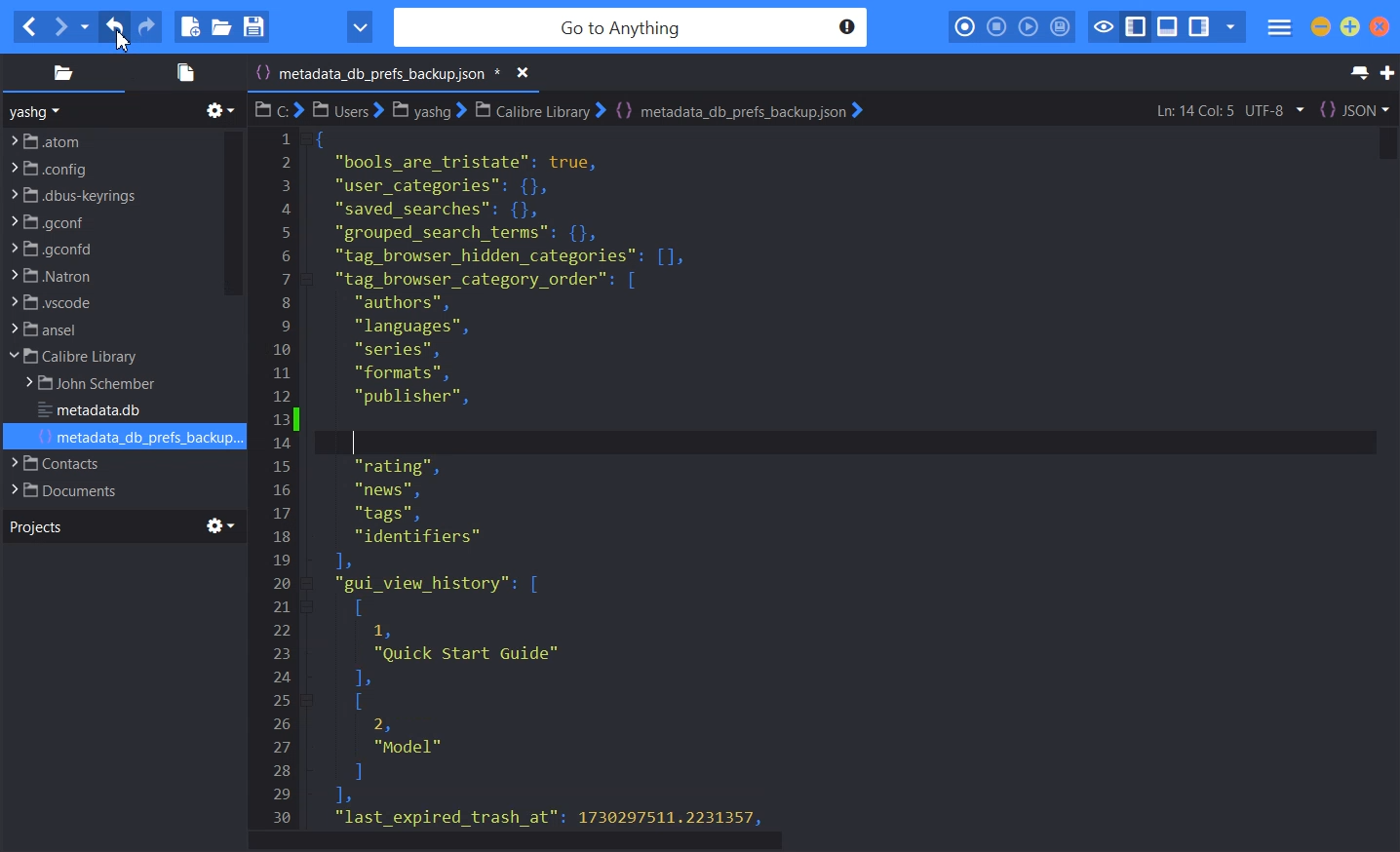 The image size is (1400, 852). What do you see at coordinates (427, 110) in the screenshot?
I see `yashg File` at bounding box center [427, 110].